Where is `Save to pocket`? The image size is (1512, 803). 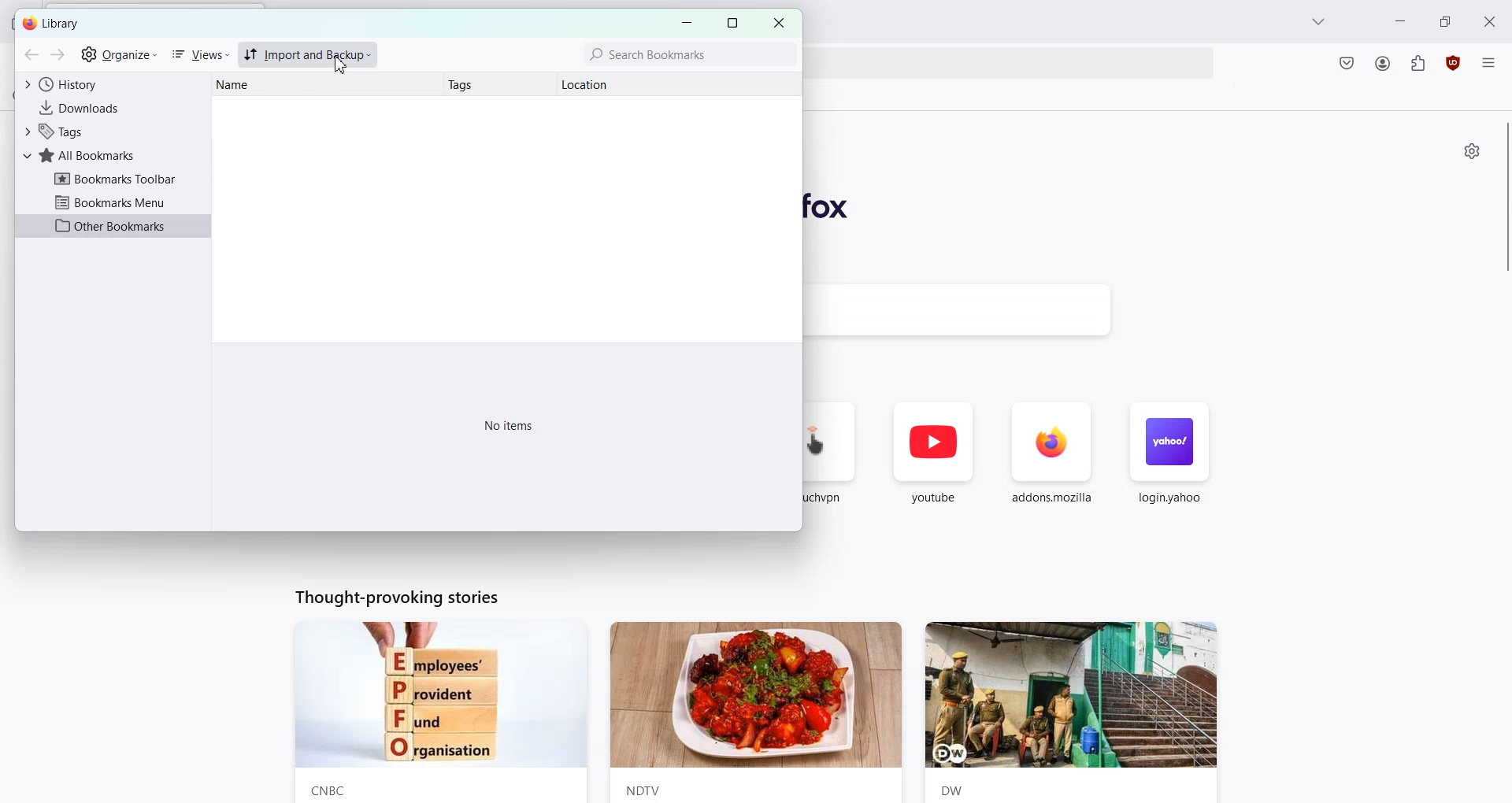 Save to pocket is located at coordinates (1347, 65).